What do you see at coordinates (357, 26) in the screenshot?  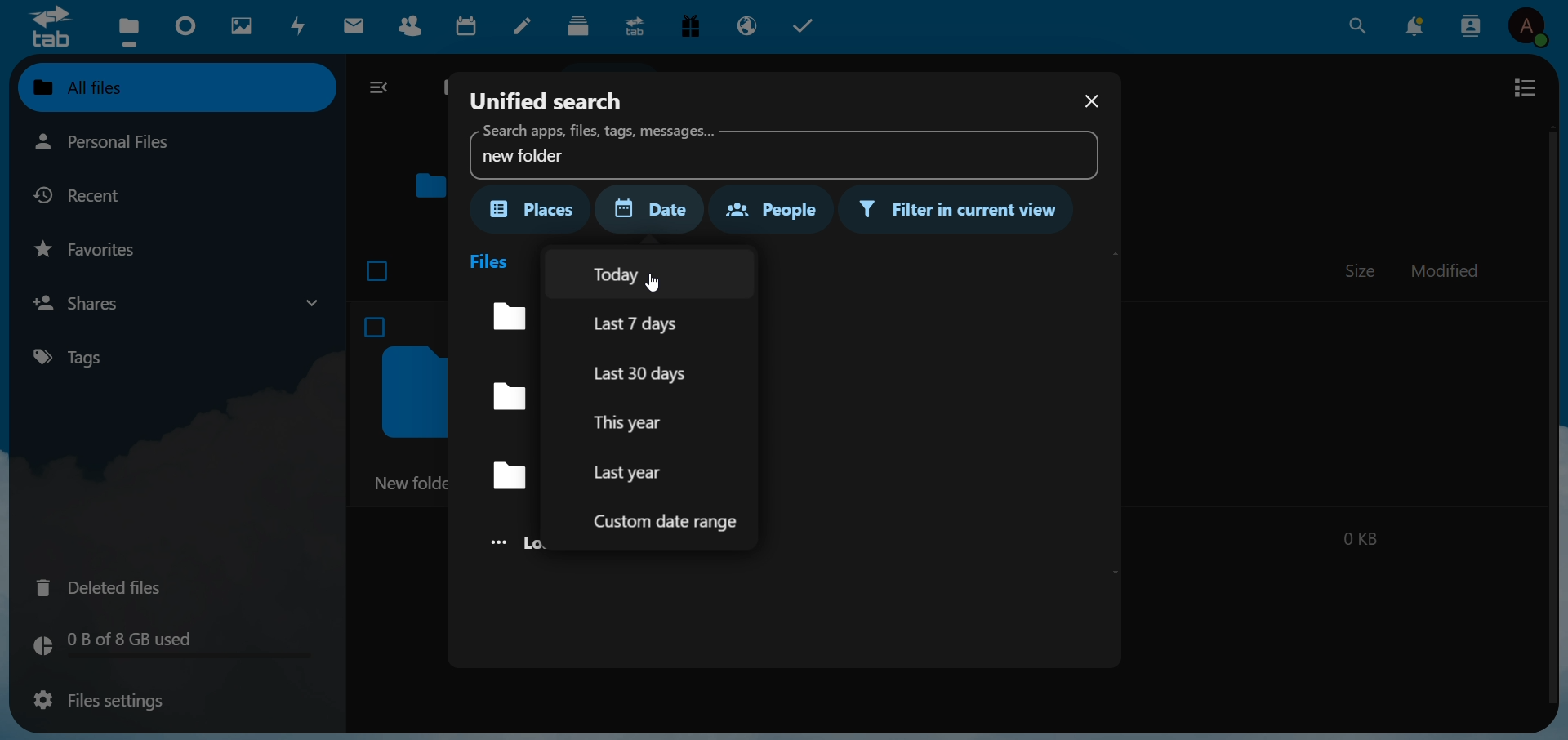 I see `mail` at bounding box center [357, 26].